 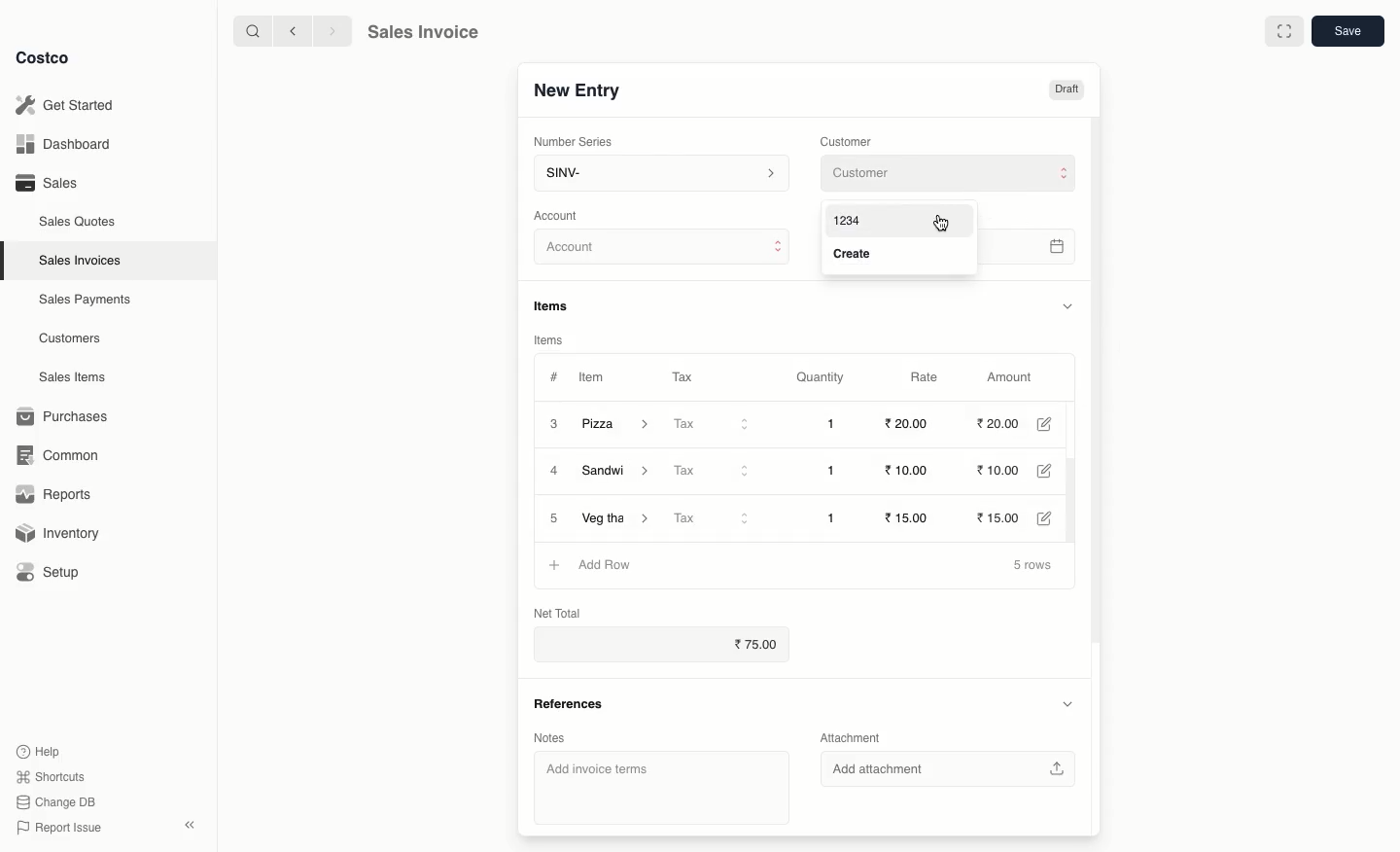 What do you see at coordinates (940, 221) in the screenshot?
I see `Cursor` at bounding box center [940, 221].